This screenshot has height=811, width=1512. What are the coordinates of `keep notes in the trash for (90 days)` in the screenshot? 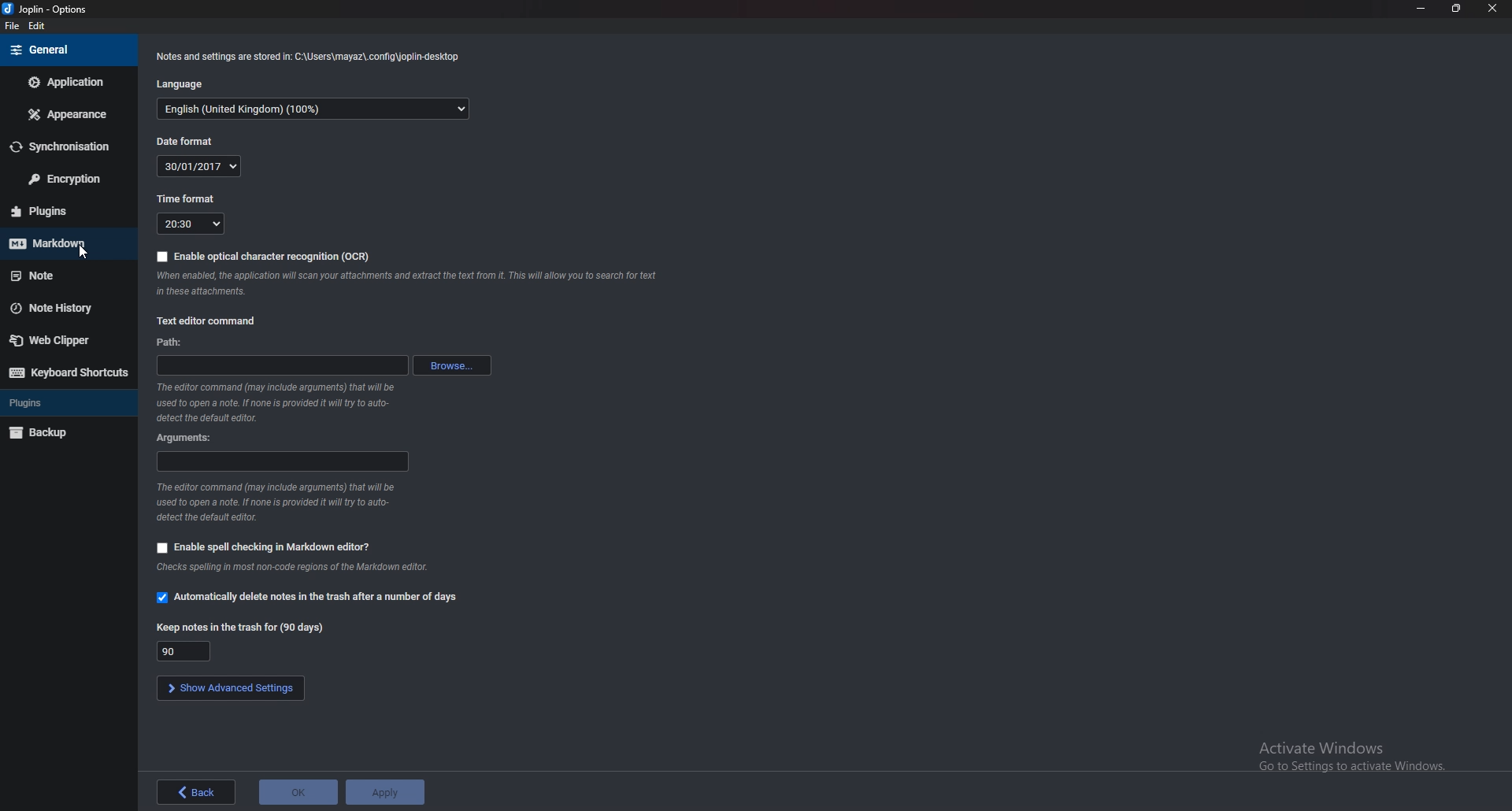 It's located at (241, 626).